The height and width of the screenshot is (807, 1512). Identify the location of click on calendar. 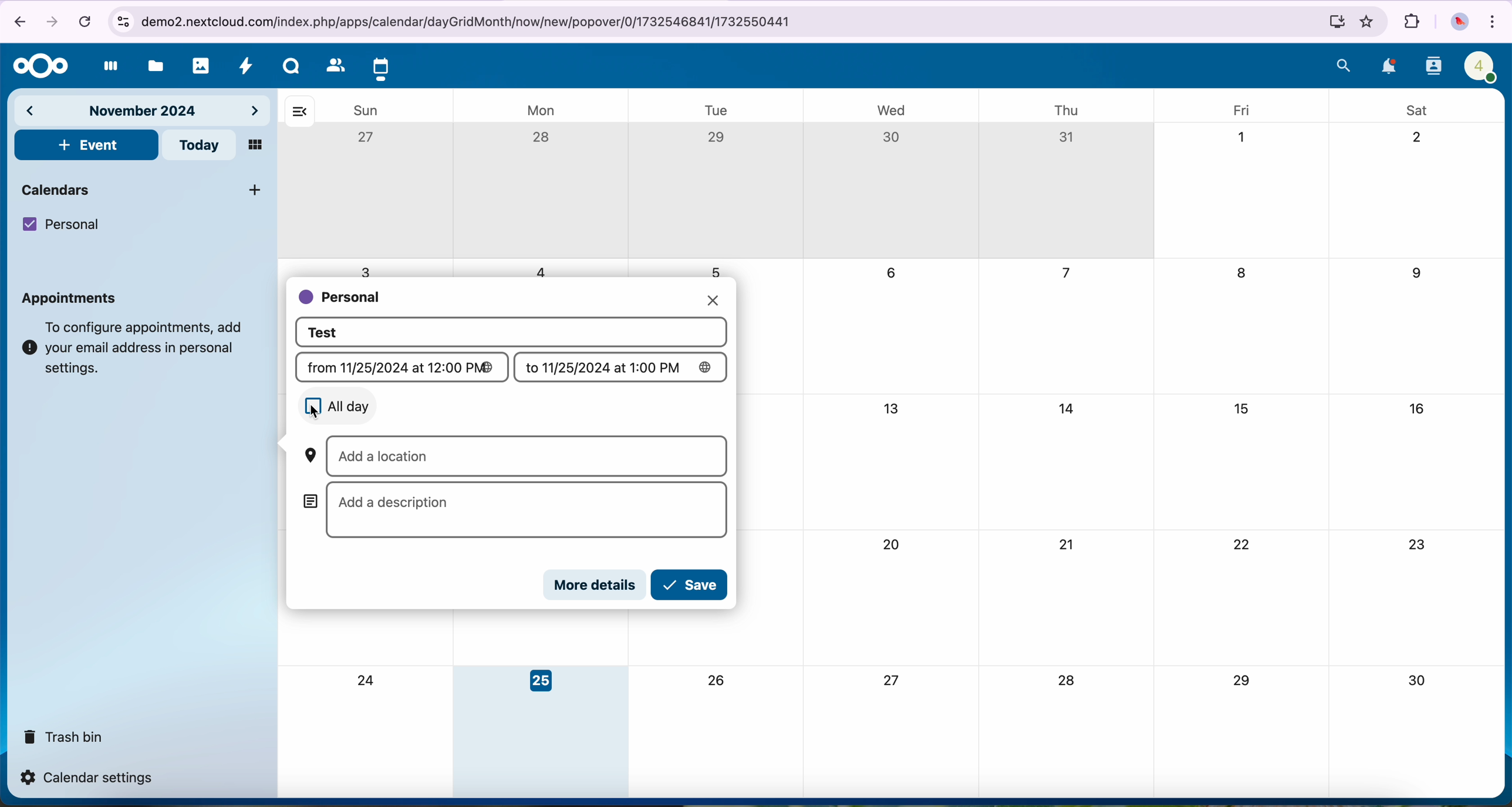
(381, 67).